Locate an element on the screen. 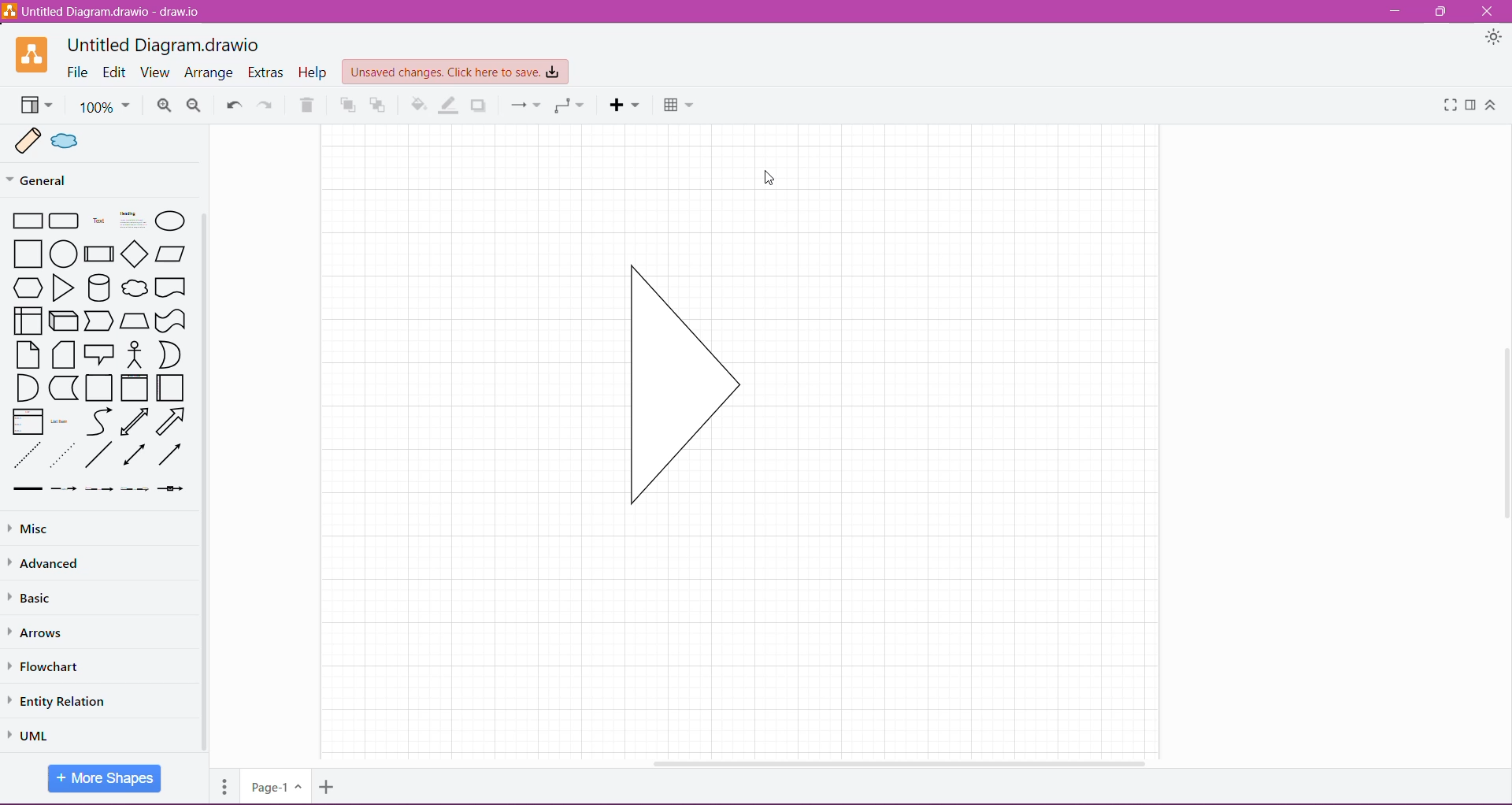 Image resolution: width=1512 pixels, height=805 pixels. Vertical Scroll Bar is located at coordinates (206, 483).